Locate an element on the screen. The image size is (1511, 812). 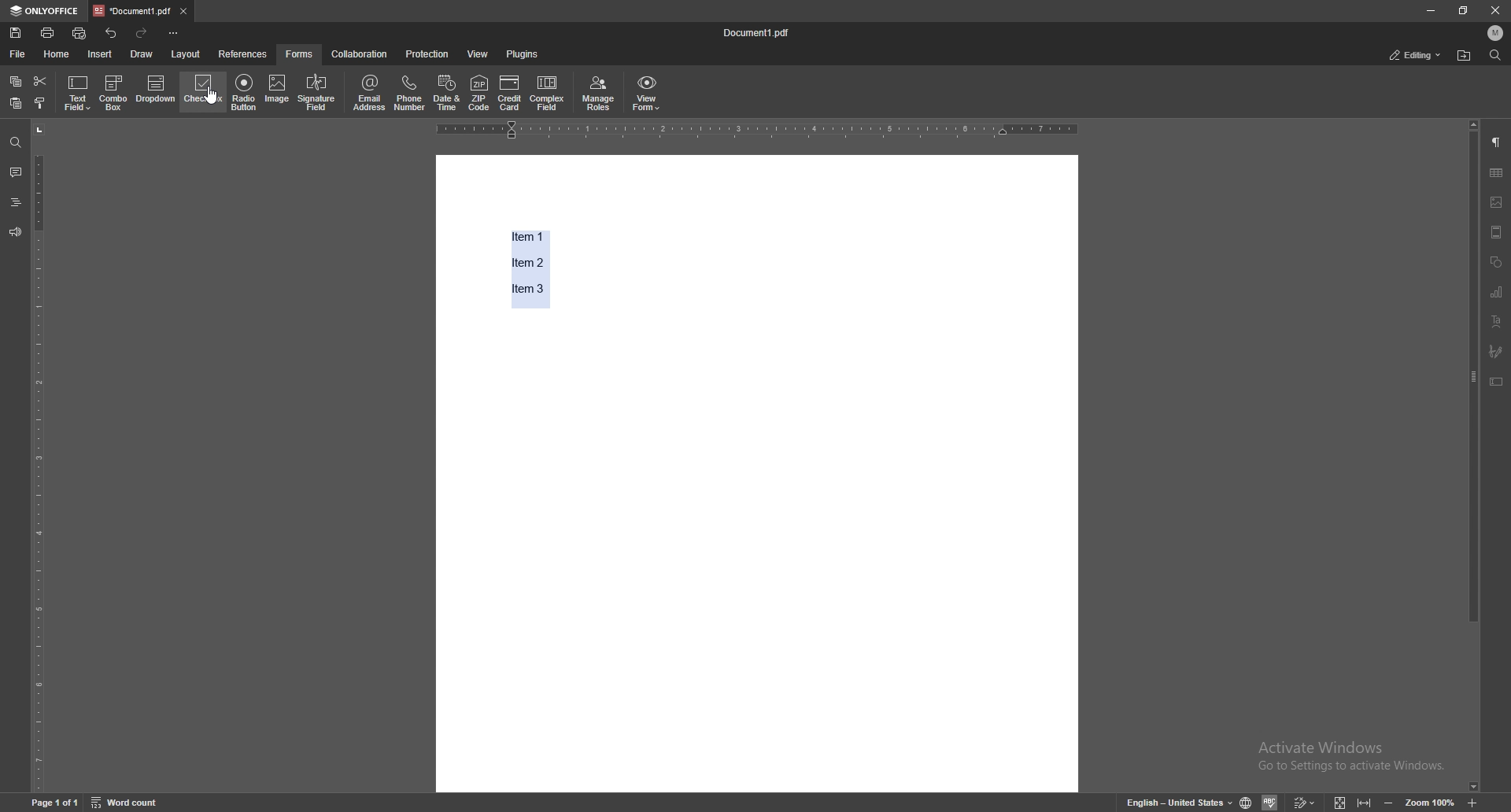
find location is located at coordinates (1464, 57).